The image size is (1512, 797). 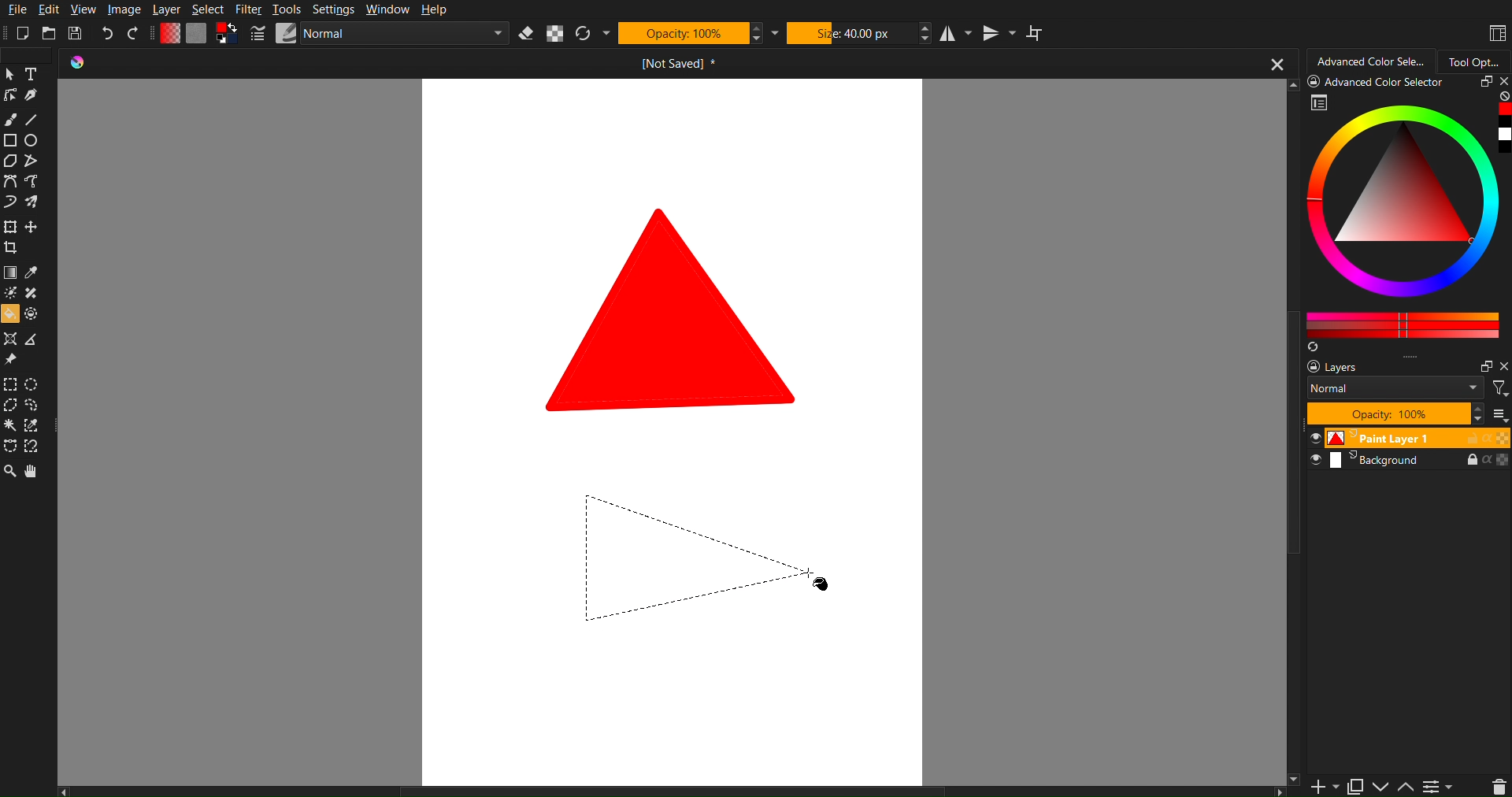 I want to click on Text, so click(x=33, y=73).